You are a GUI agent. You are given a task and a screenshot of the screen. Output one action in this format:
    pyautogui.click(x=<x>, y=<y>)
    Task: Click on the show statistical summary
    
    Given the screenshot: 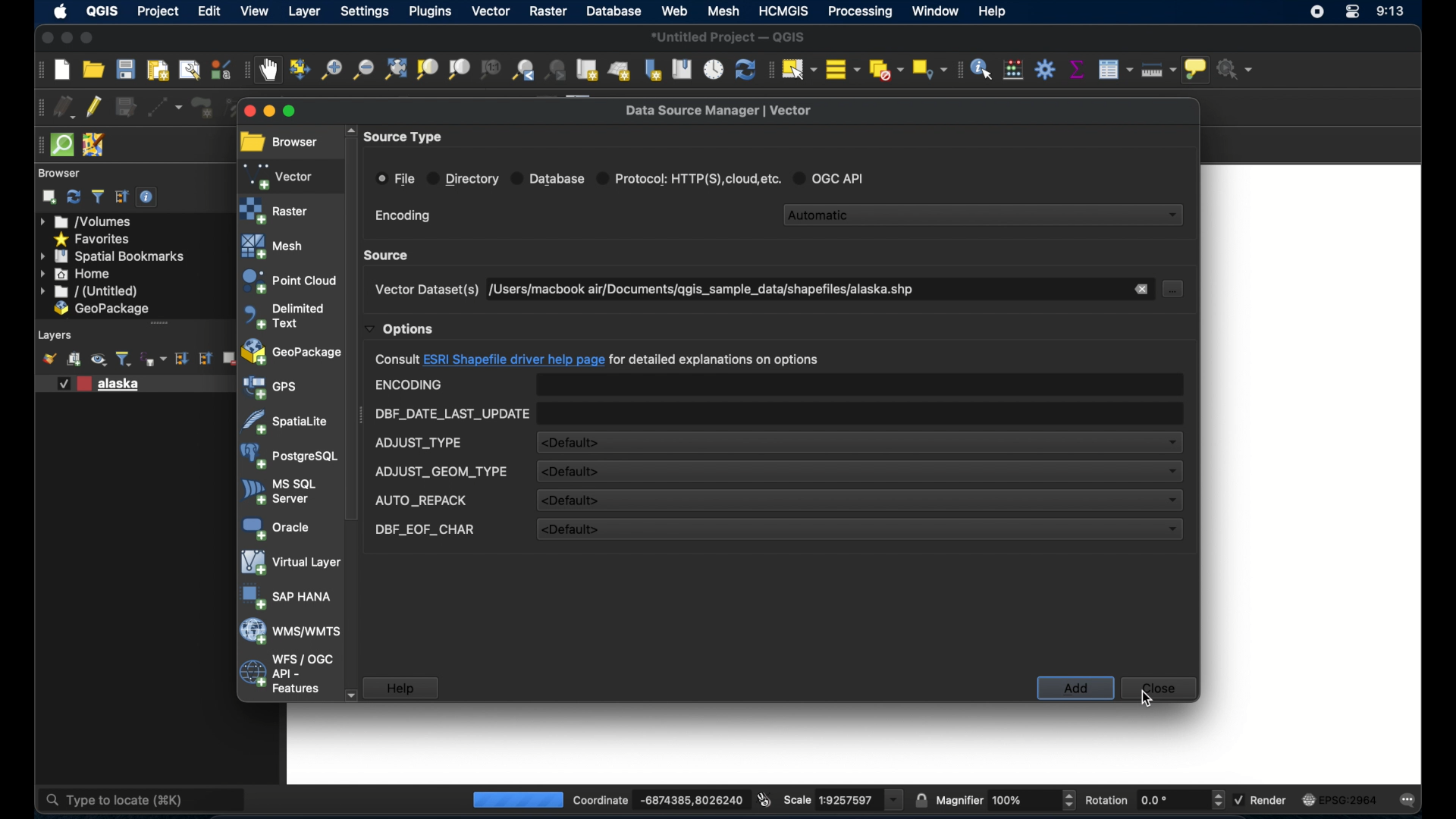 What is the action you would take?
    pyautogui.click(x=1076, y=67)
    